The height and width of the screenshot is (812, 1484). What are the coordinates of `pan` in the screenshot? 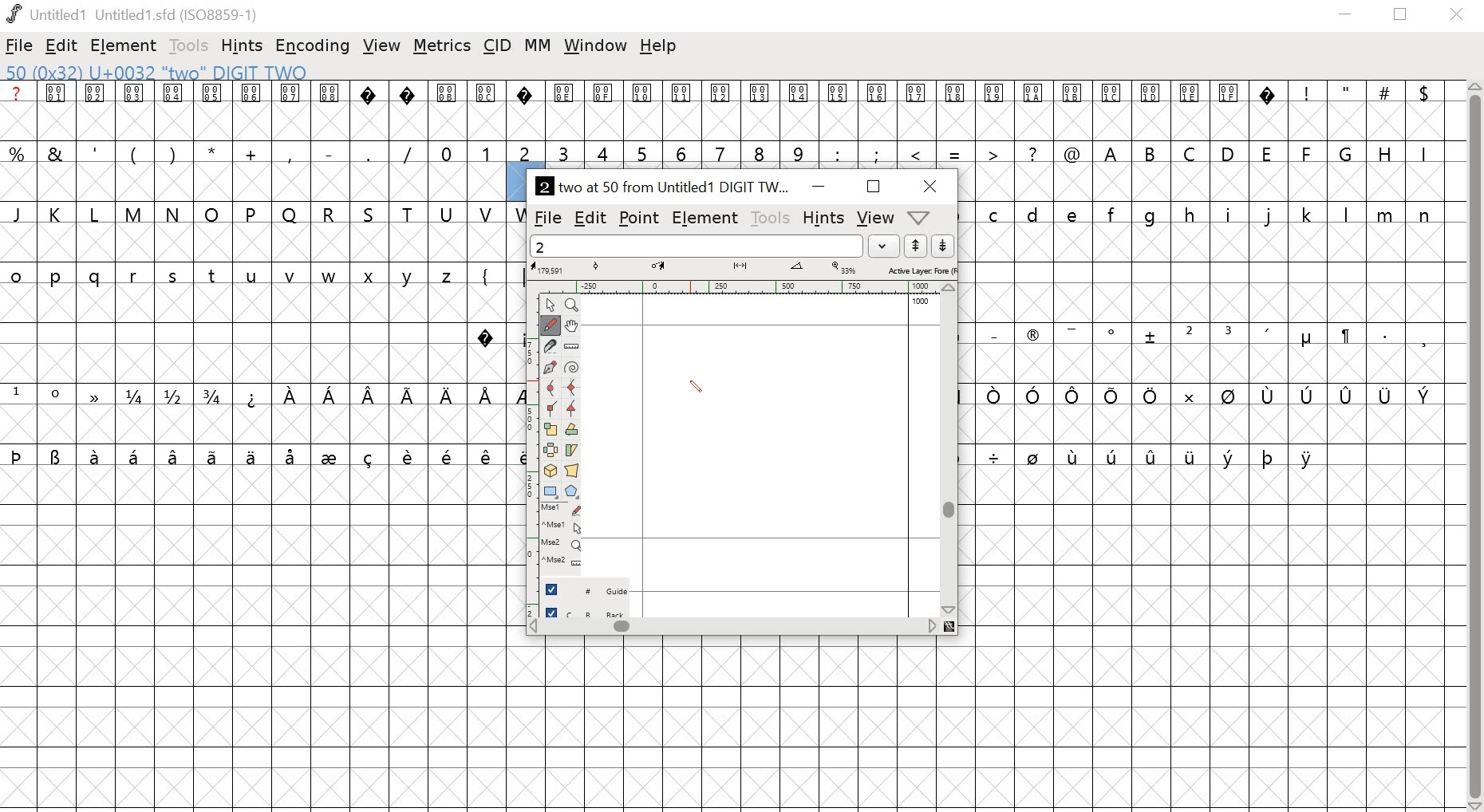 It's located at (570, 327).